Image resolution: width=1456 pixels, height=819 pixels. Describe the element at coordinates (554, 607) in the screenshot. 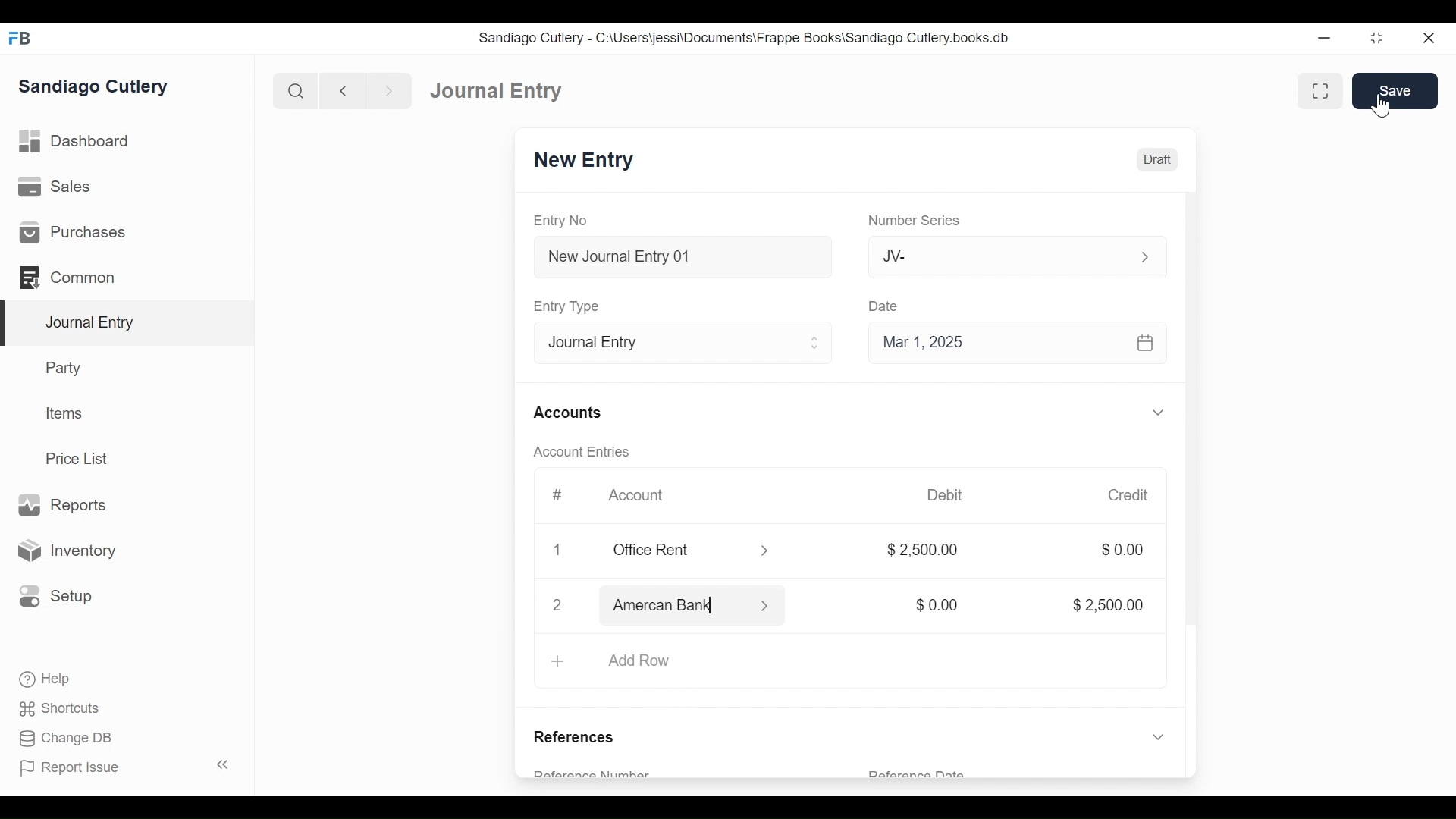

I see `delete` at that location.